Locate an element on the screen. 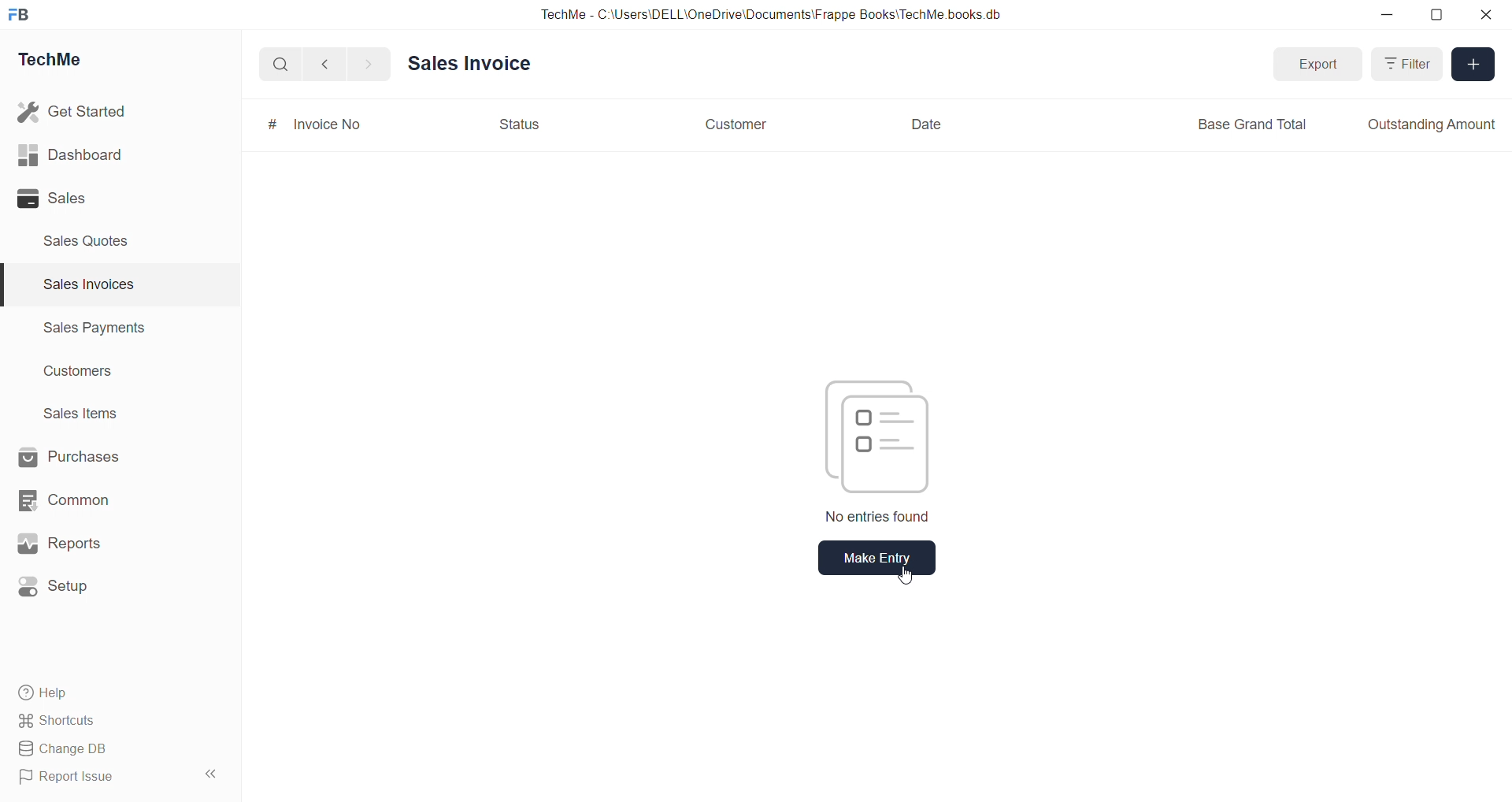 This screenshot has width=1512, height=802. Sales Payments is located at coordinates (96, 326).